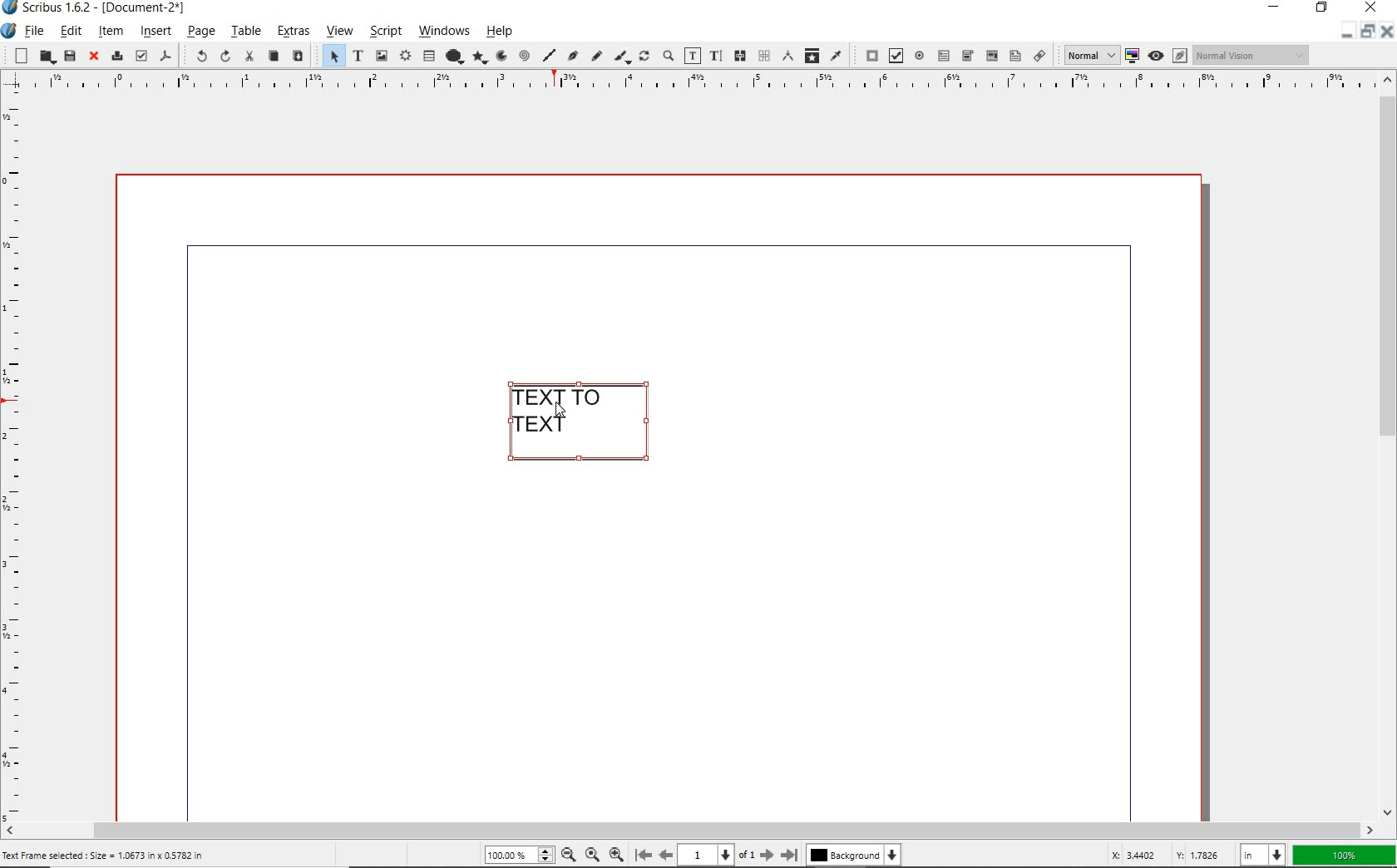 The image size is (1397, 868). Describe the element at coordinates (383, 57) in the screenshot. I see `image frame` at that location.